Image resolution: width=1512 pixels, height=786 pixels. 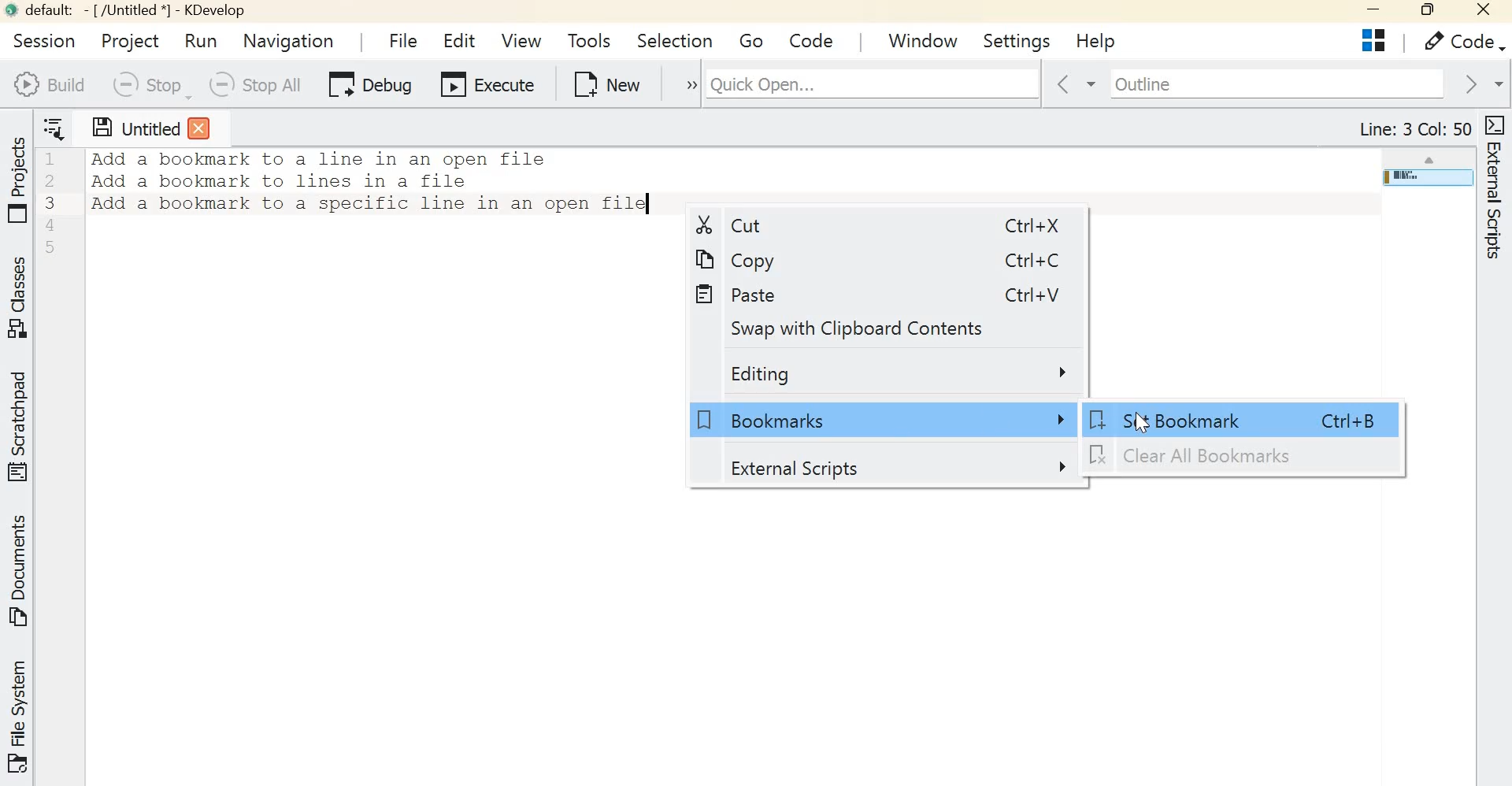 What do you see at coordinates (289, 43) in the screenshot?
I see `Navigation` at bounding box center [289, 43].